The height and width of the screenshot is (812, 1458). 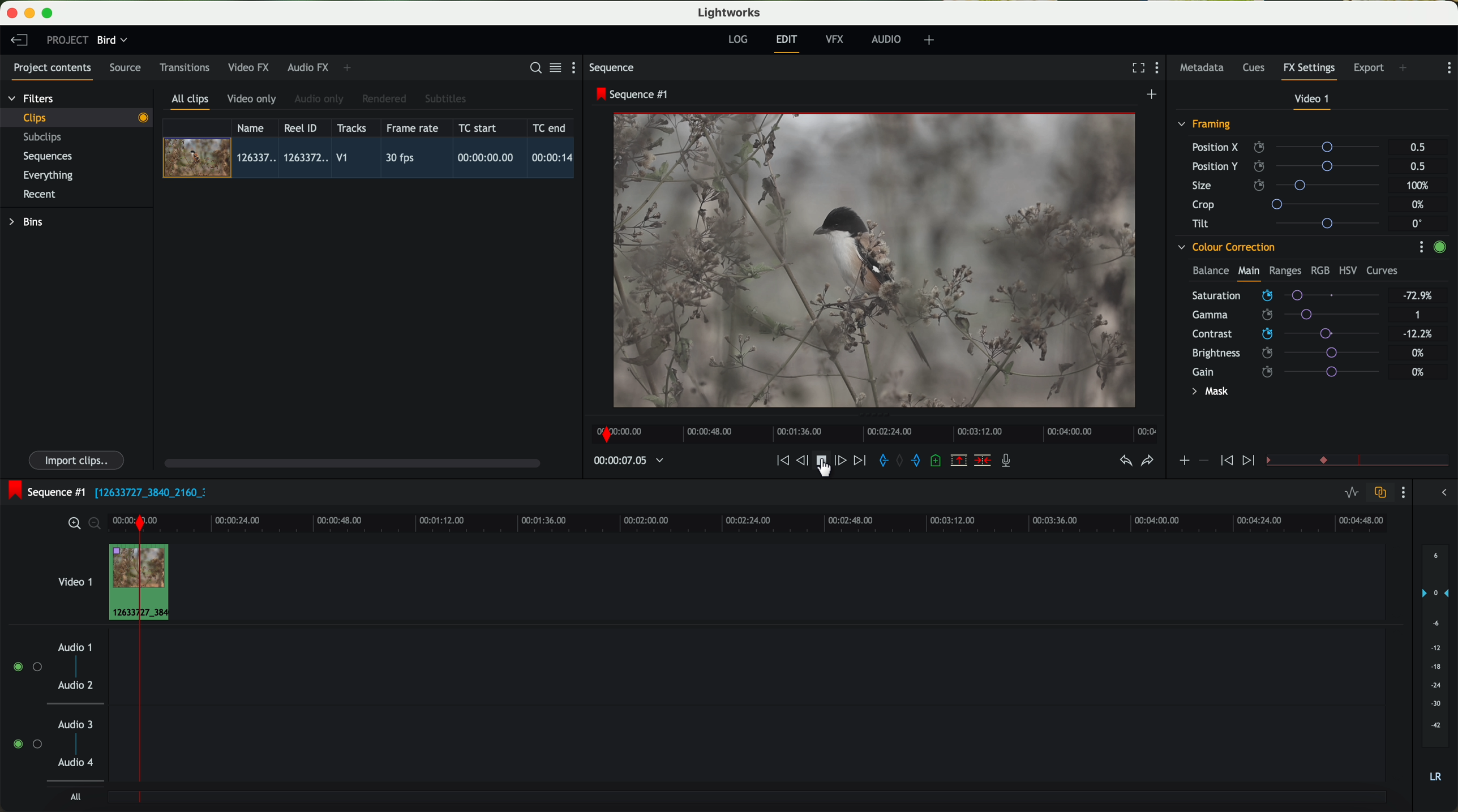 I want to click on curves, so click(x=1382, y=271).